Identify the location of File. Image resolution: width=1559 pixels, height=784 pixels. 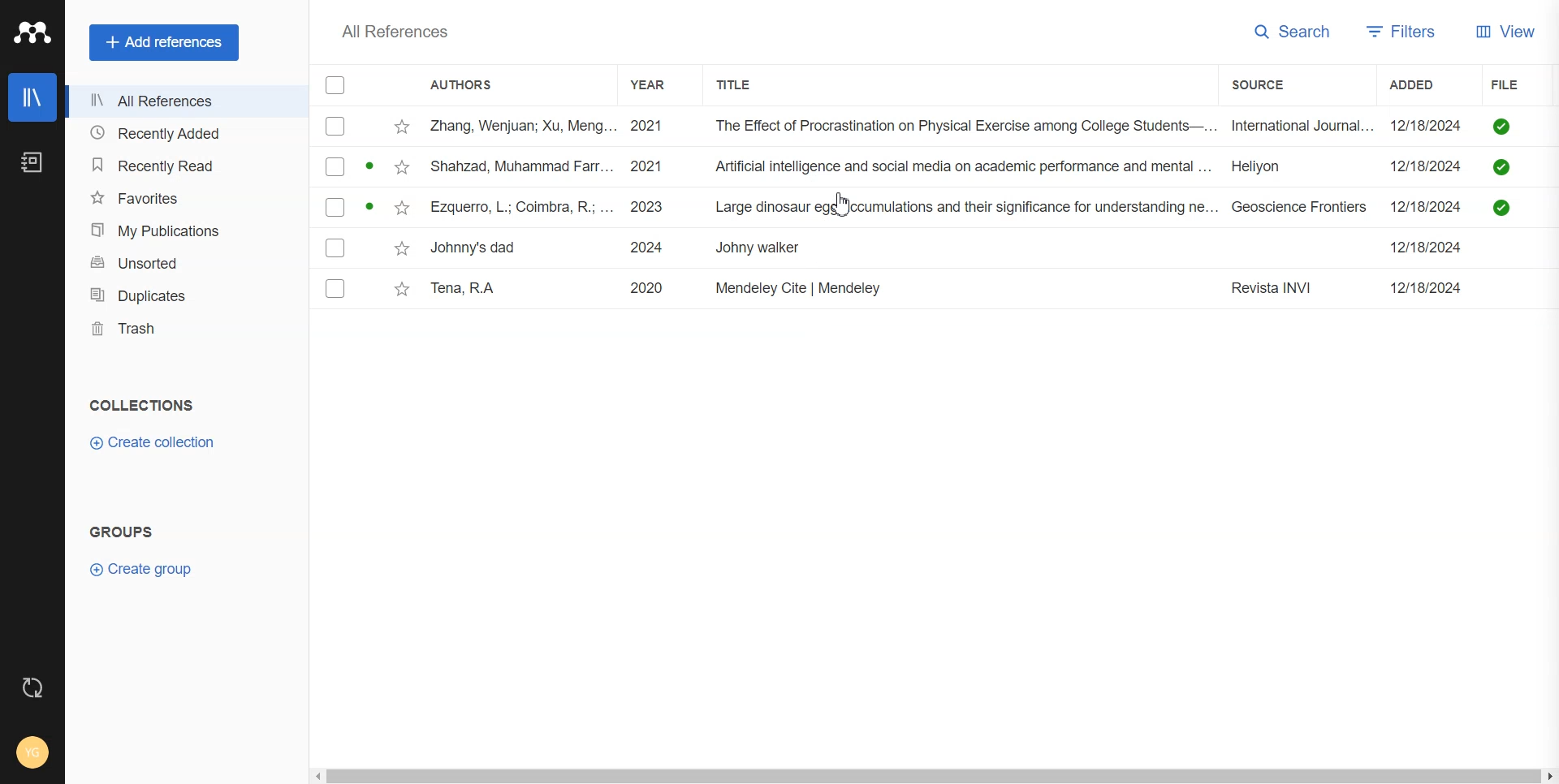
(904, 248).